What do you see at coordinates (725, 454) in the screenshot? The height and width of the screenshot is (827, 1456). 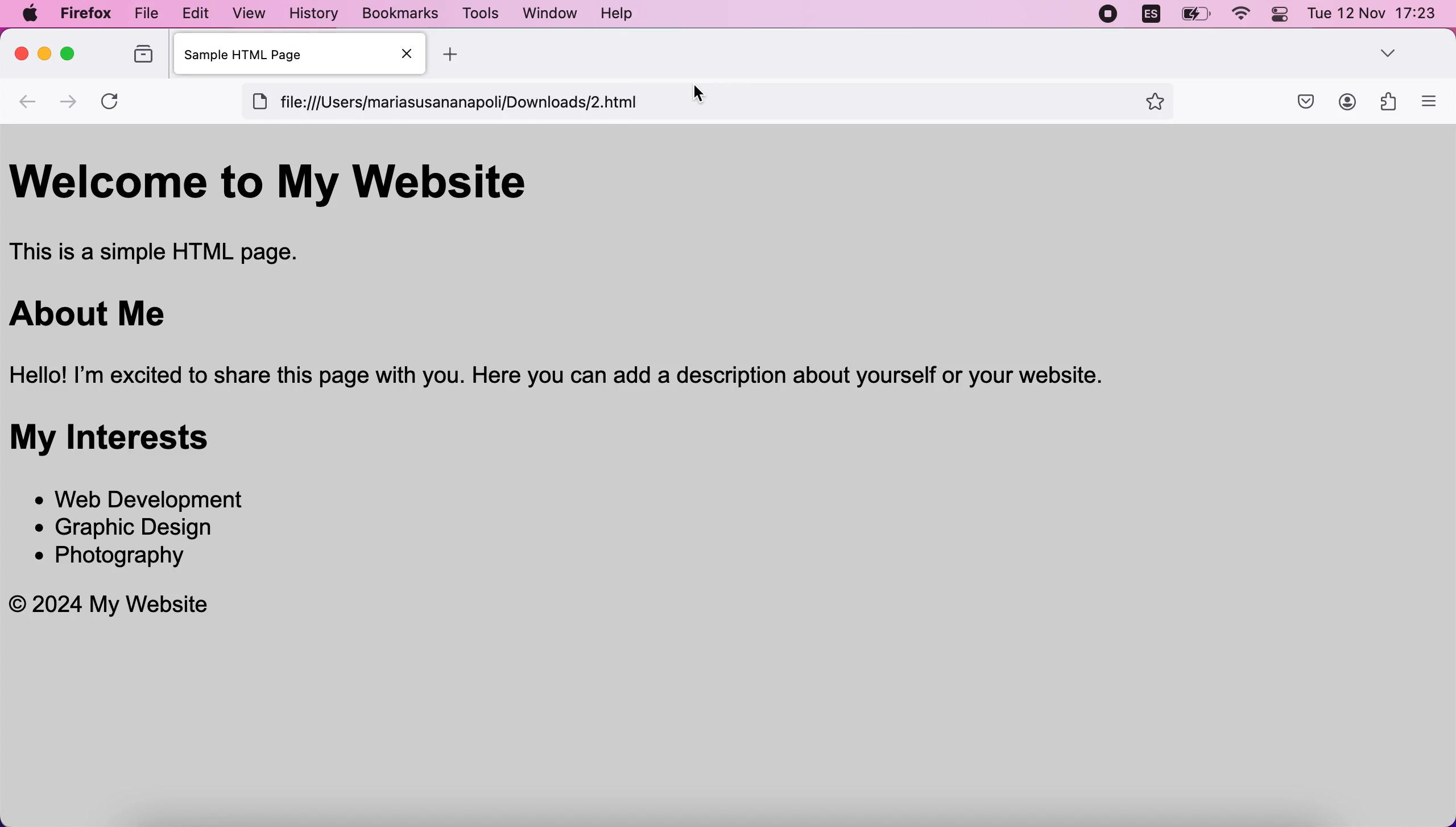 I see `Welcome to My Website
This is a simple HTML page.
About Me
Hello! I'm excited to share this page with you. Here you can add a description about yourself or your website.
My Interests
* Web Development
* Graphic Design
* Photography
© 2024 My Website` at bounding box center [725, 454].